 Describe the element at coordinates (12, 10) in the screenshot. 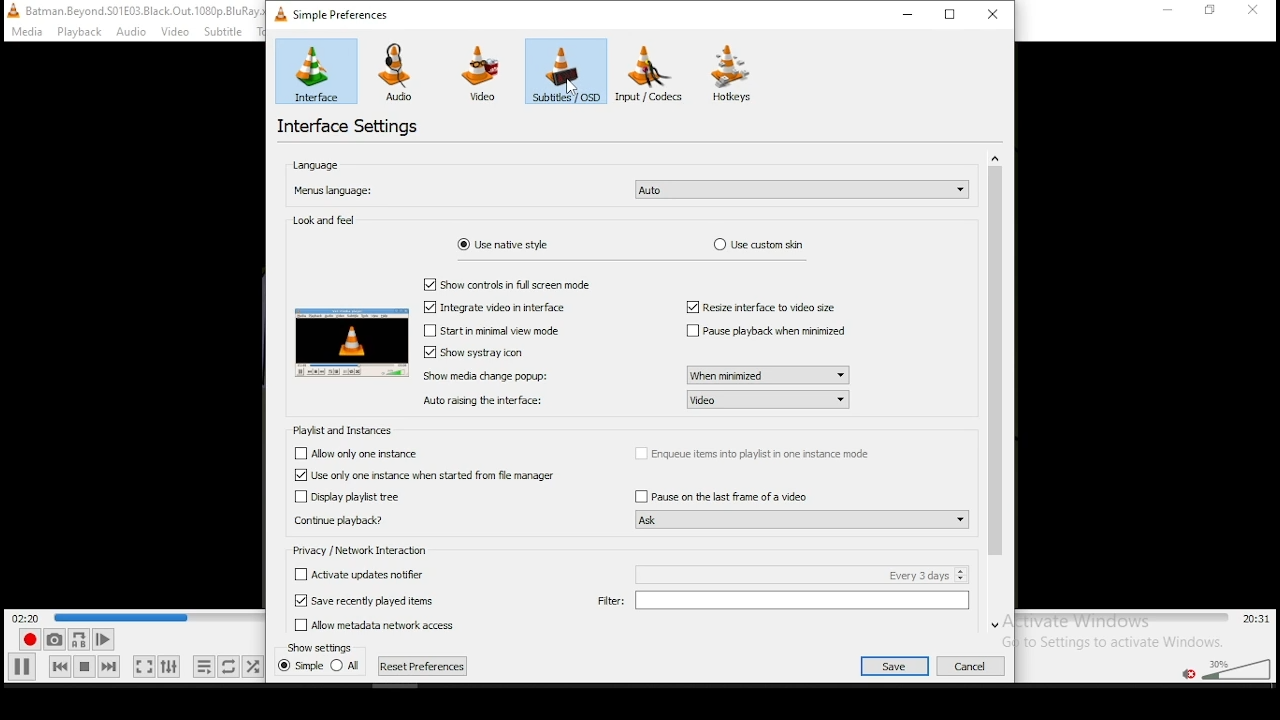

I see `VLC icon` at that location.